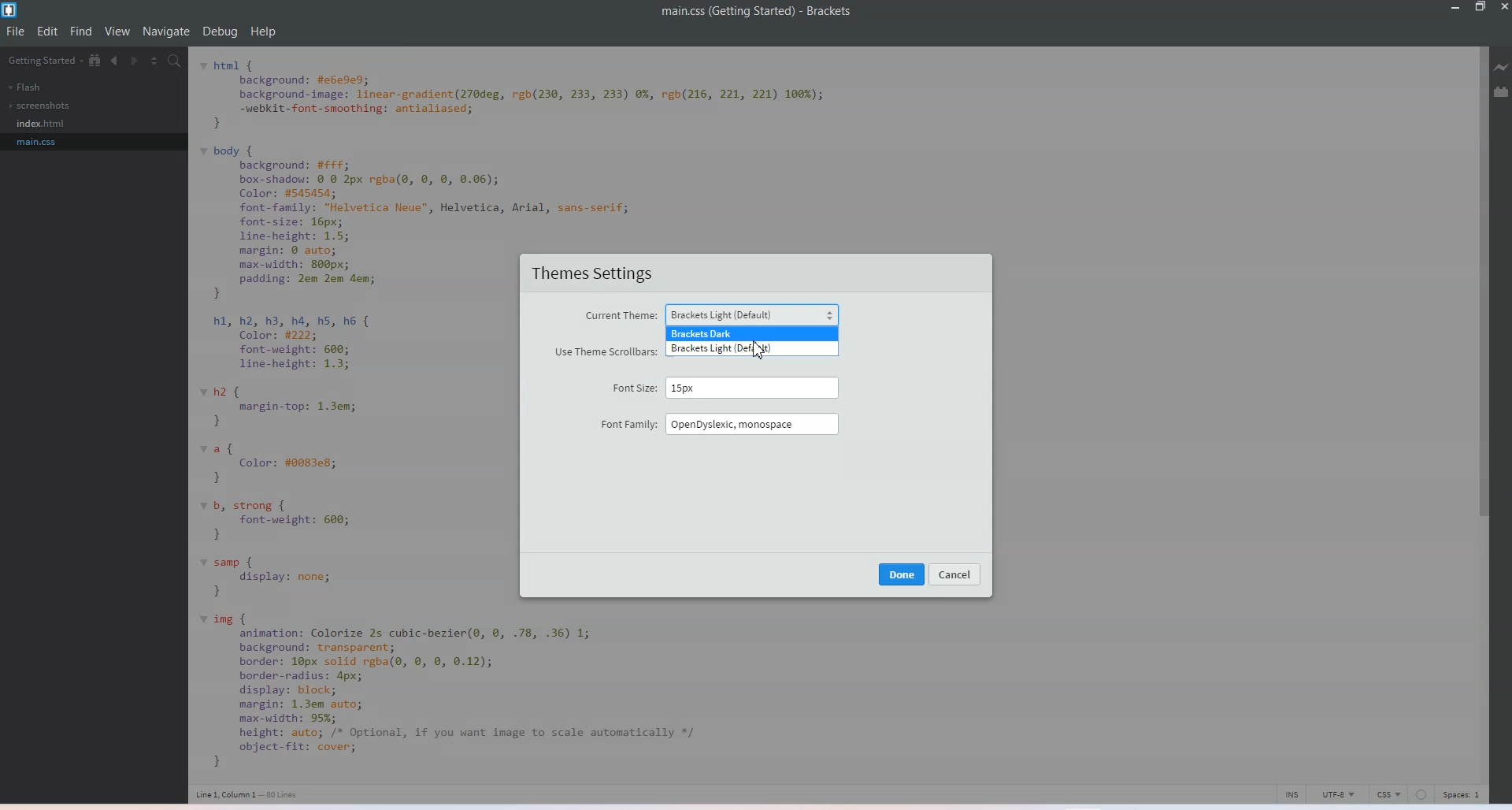 The height and width of the screenshot is (810, 1512). What do you see at coordinates (450, 693) in the screenshot?
I see `code` at bounding box center [450, 693].